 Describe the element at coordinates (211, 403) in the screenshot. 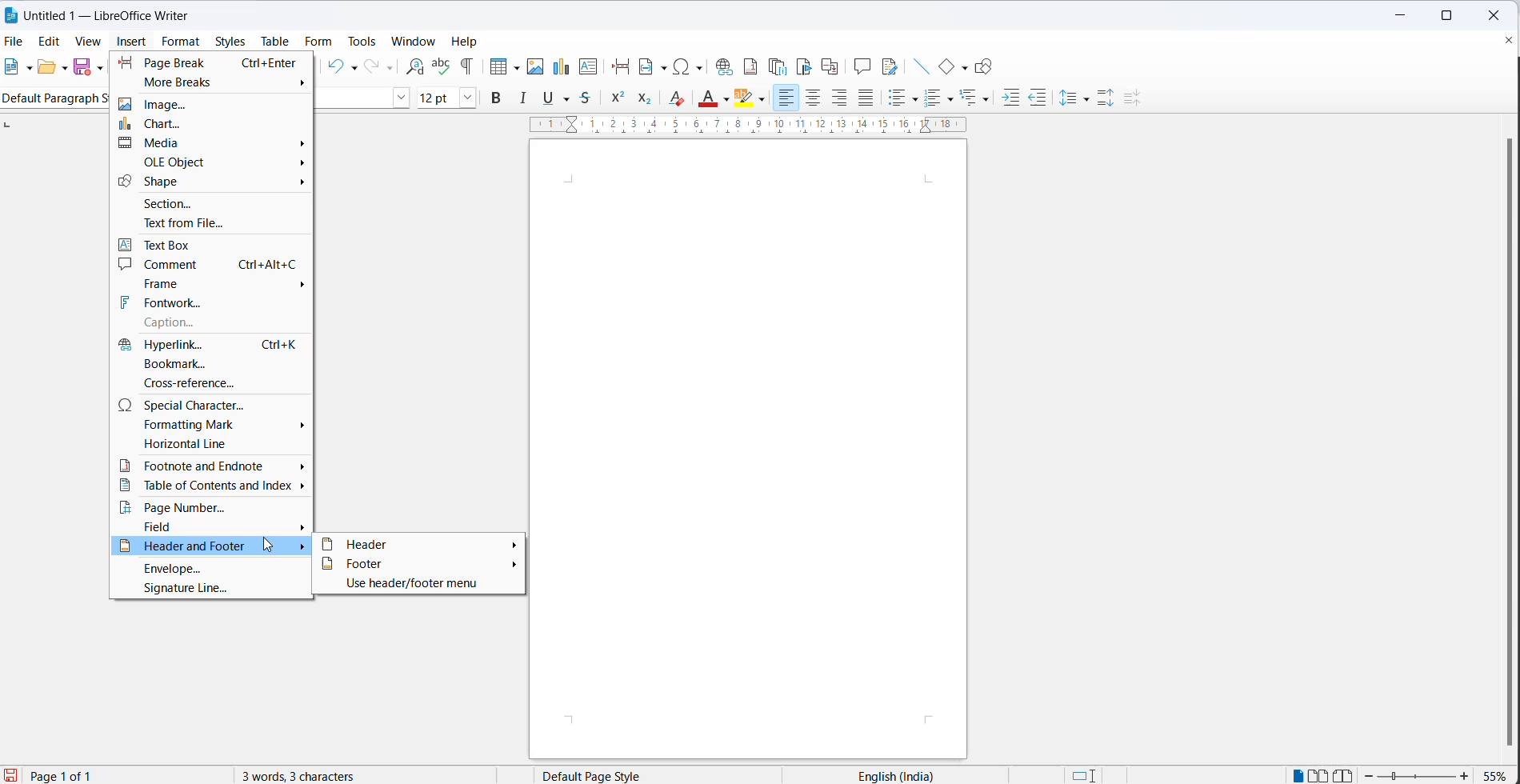

I see `special character` at that location.